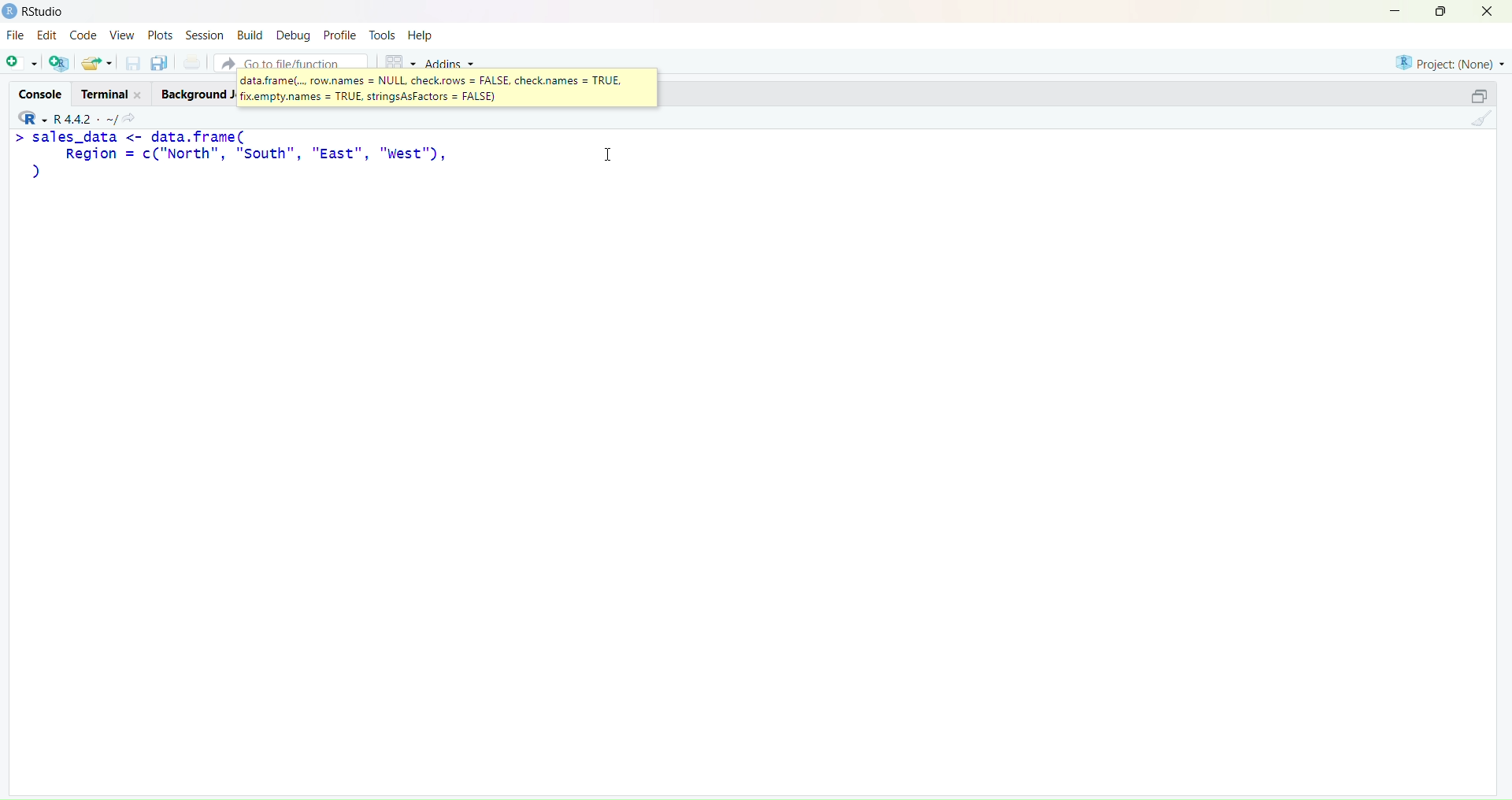  Describe the element at coordinates (395, 60) in the screenshot. I see `grid view` at that location.